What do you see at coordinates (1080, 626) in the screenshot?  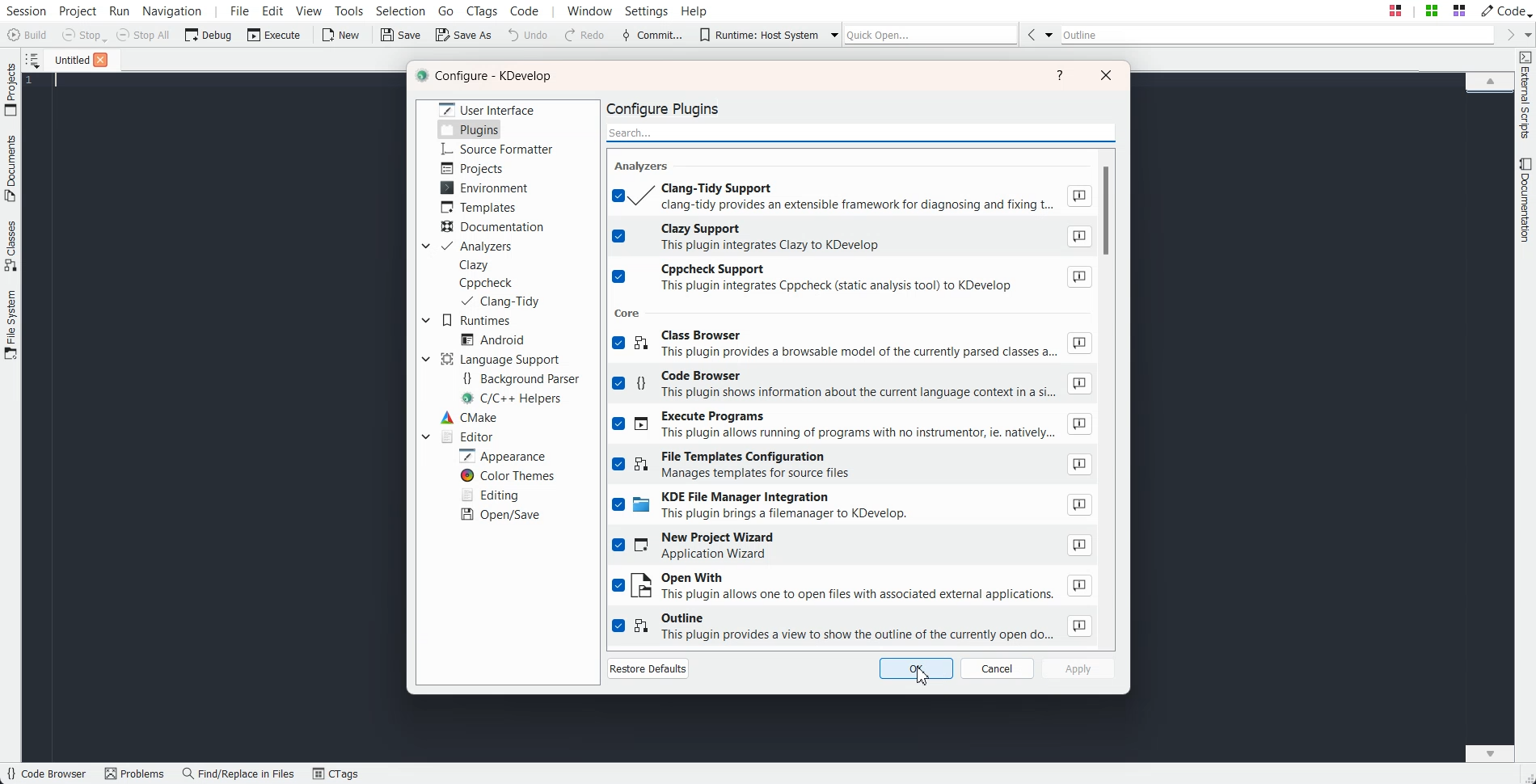 I see `About` at bounding box center [1080, 626].